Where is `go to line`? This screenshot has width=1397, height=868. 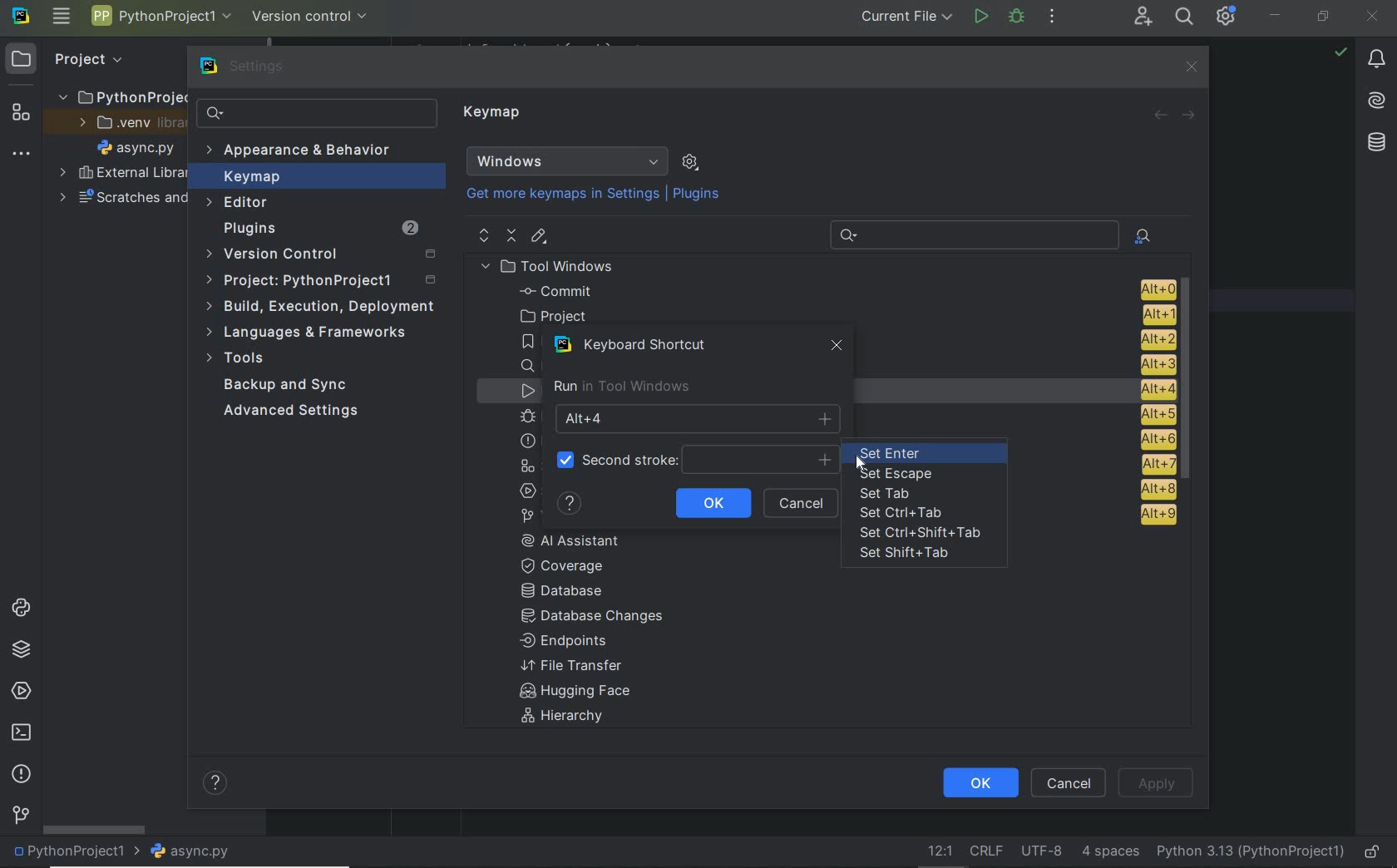
go to line is located at coordinates (937, 852).